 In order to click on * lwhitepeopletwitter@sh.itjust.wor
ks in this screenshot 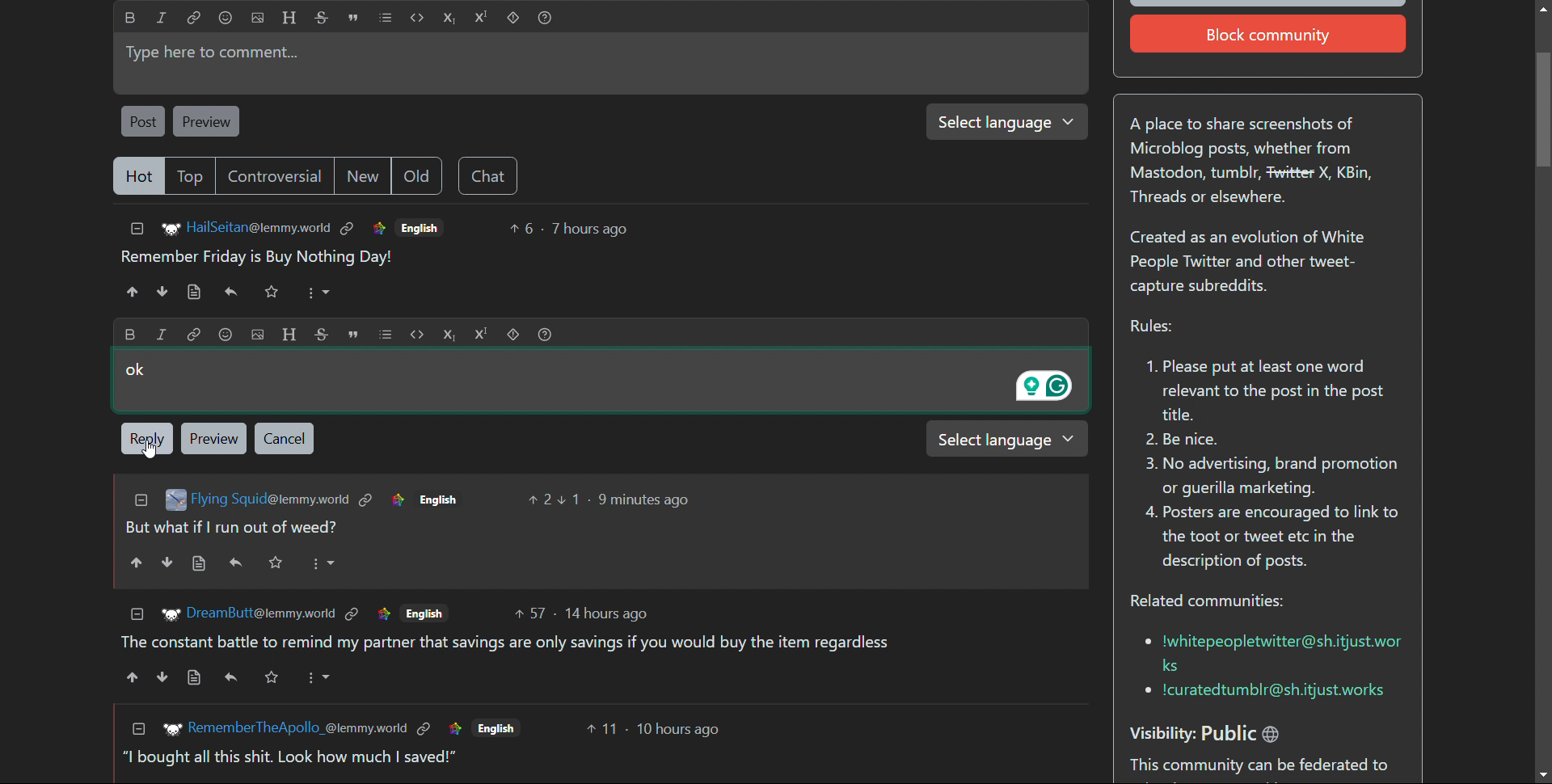, I will do `click(1269, 651)`.